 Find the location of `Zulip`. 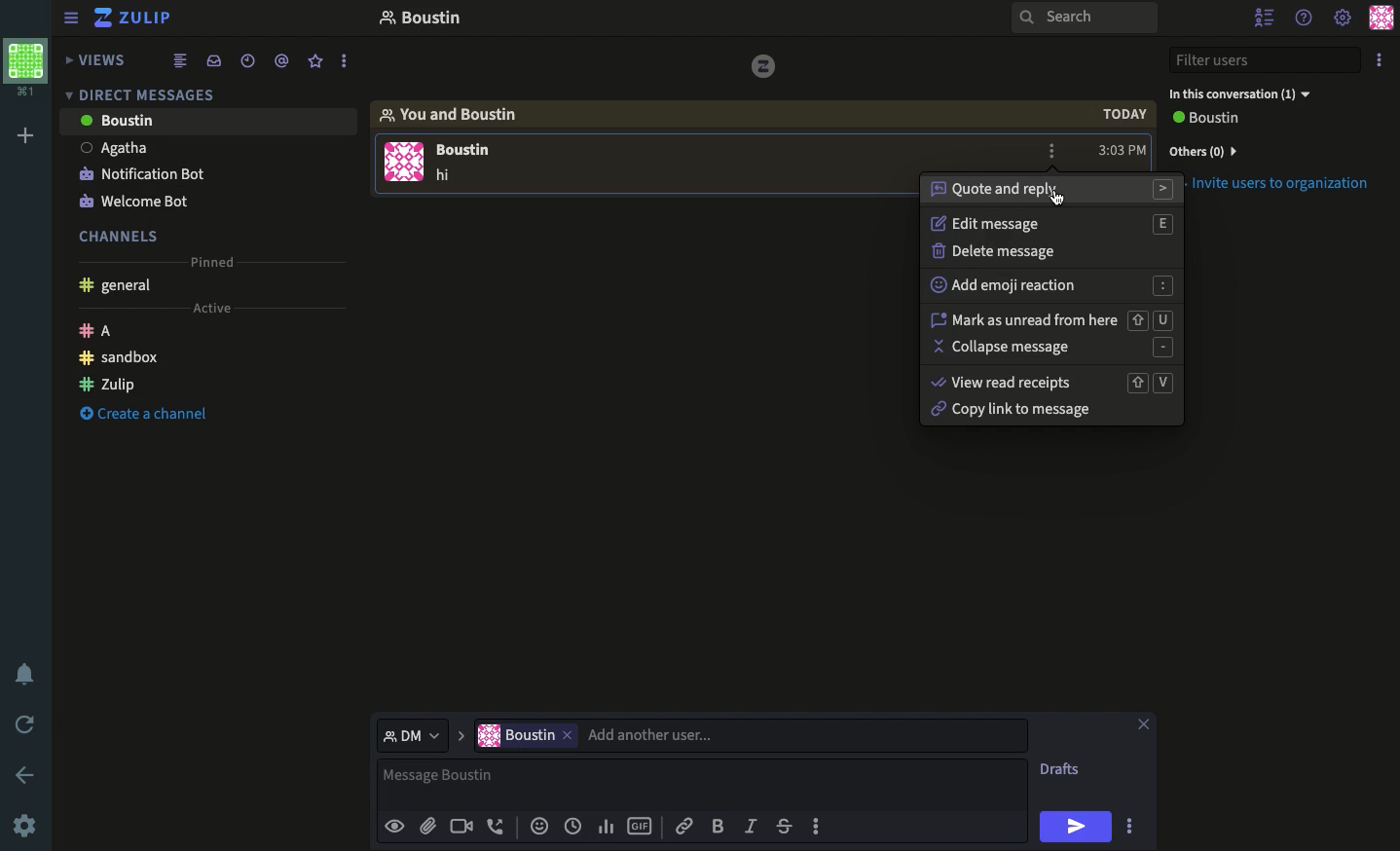

Zulip is located at coordinates (133, 18).